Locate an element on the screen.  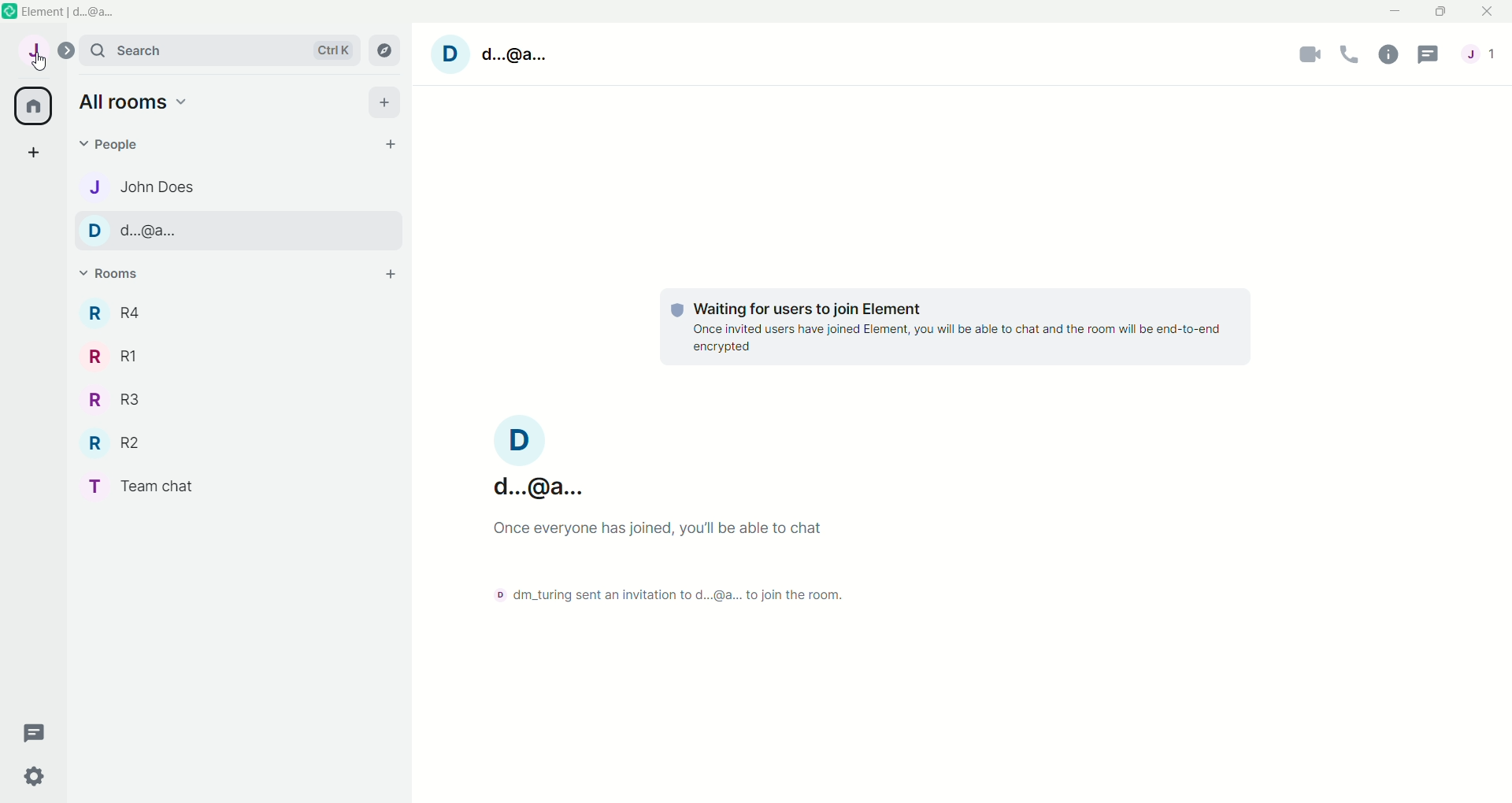
Contact name is located at coordinates (172, 231).